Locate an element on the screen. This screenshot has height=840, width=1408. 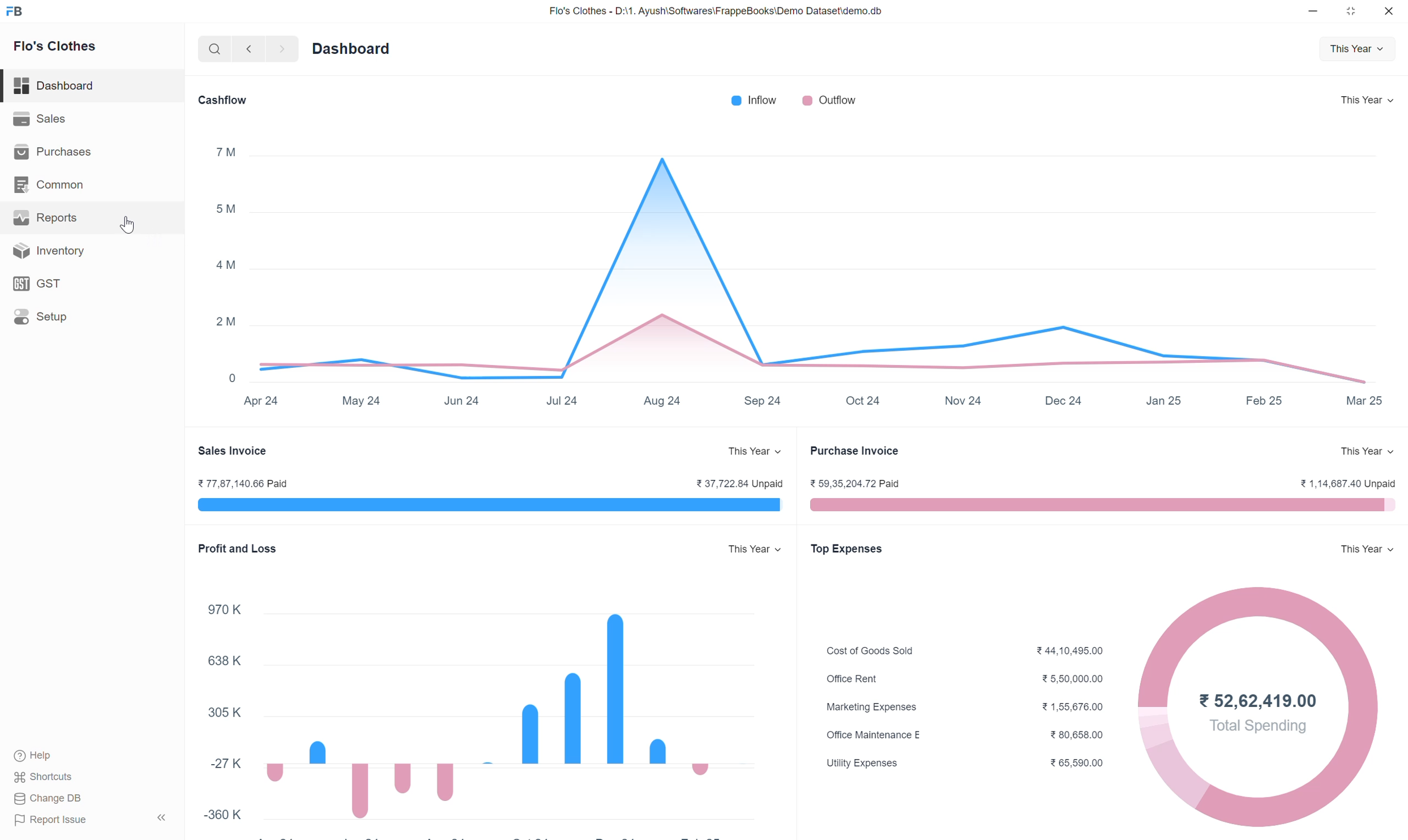
This Year  is located at coordinates (1358, 46).